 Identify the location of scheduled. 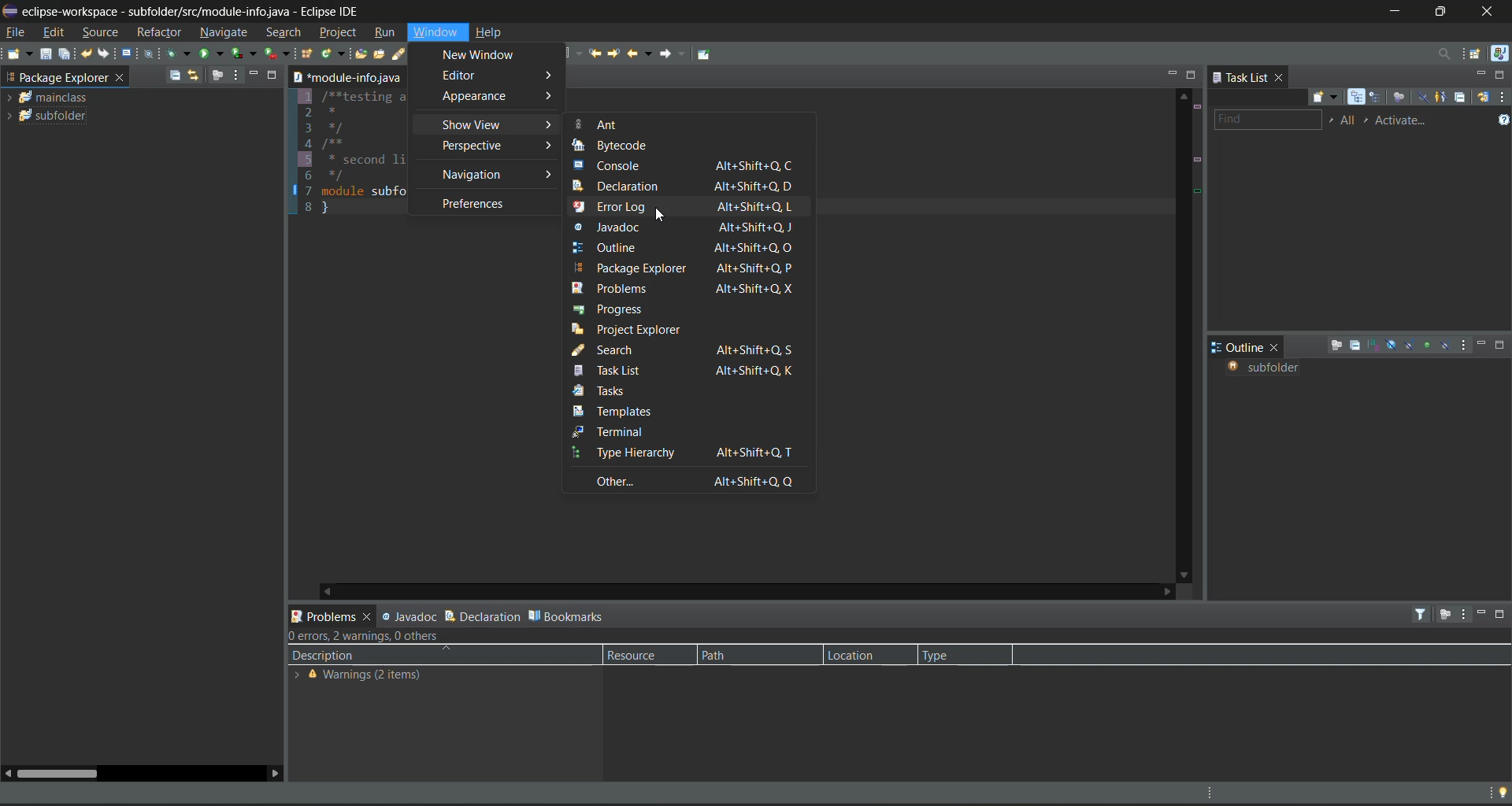
(1377, 98).